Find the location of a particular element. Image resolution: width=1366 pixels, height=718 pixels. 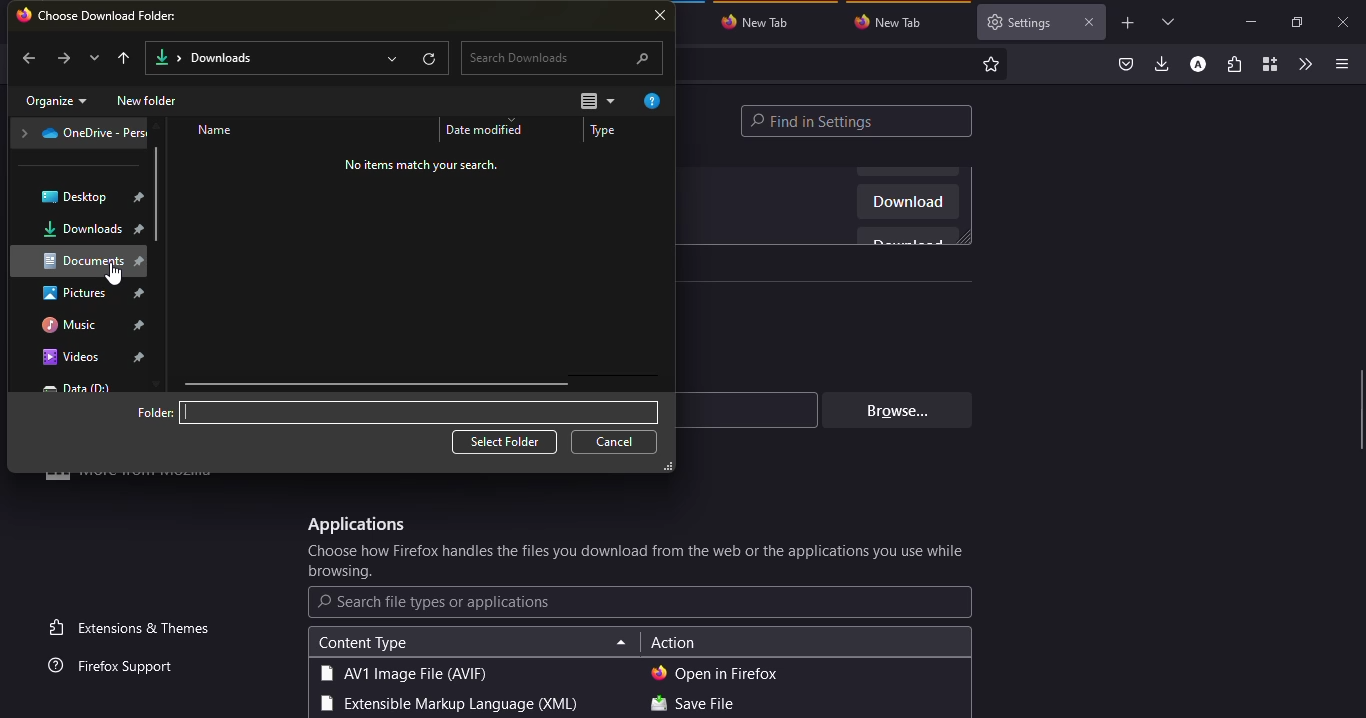

maximize is located at coordinates (1295, 22).